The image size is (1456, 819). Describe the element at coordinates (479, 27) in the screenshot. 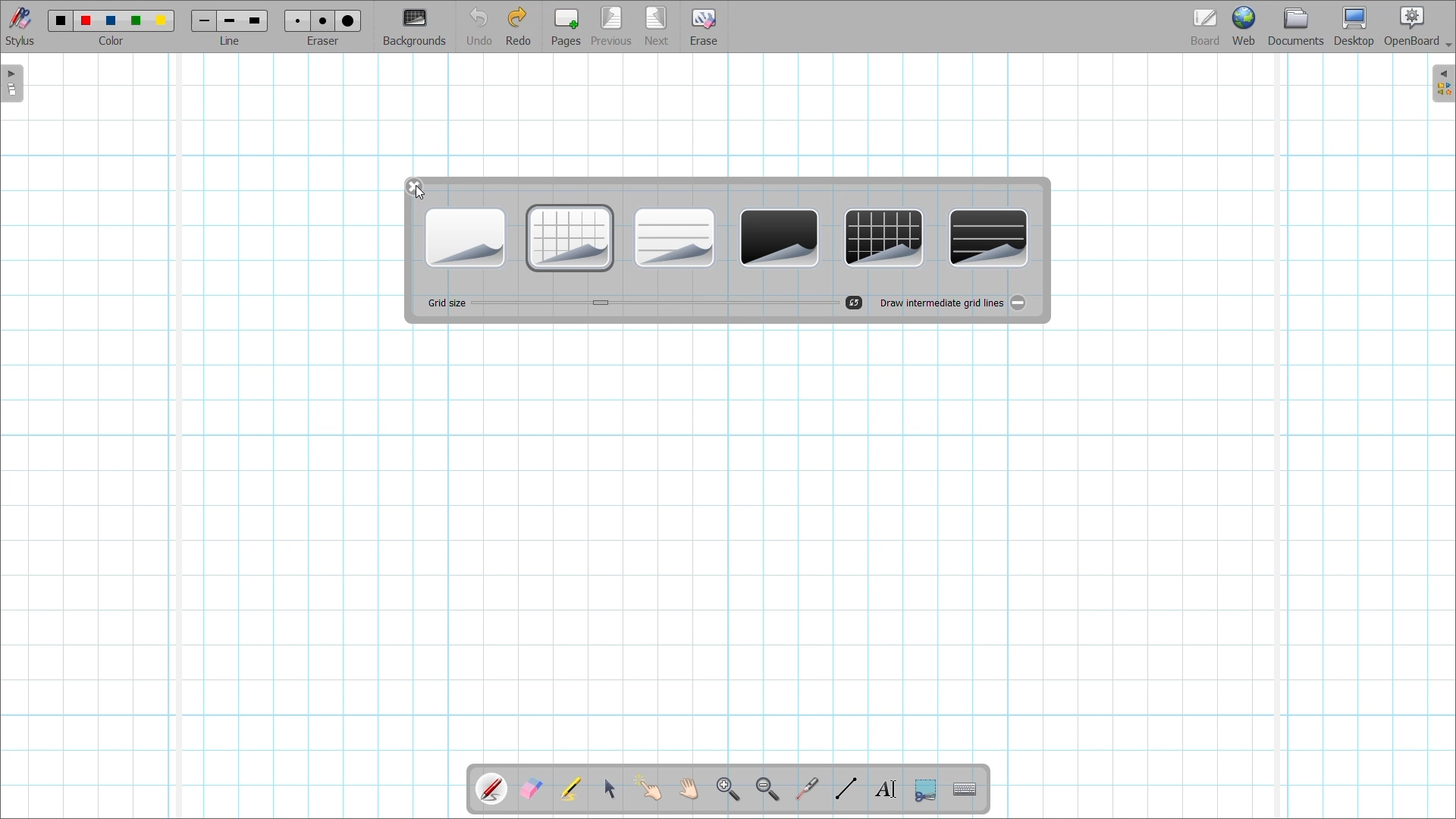

I see `Undo` at that location.